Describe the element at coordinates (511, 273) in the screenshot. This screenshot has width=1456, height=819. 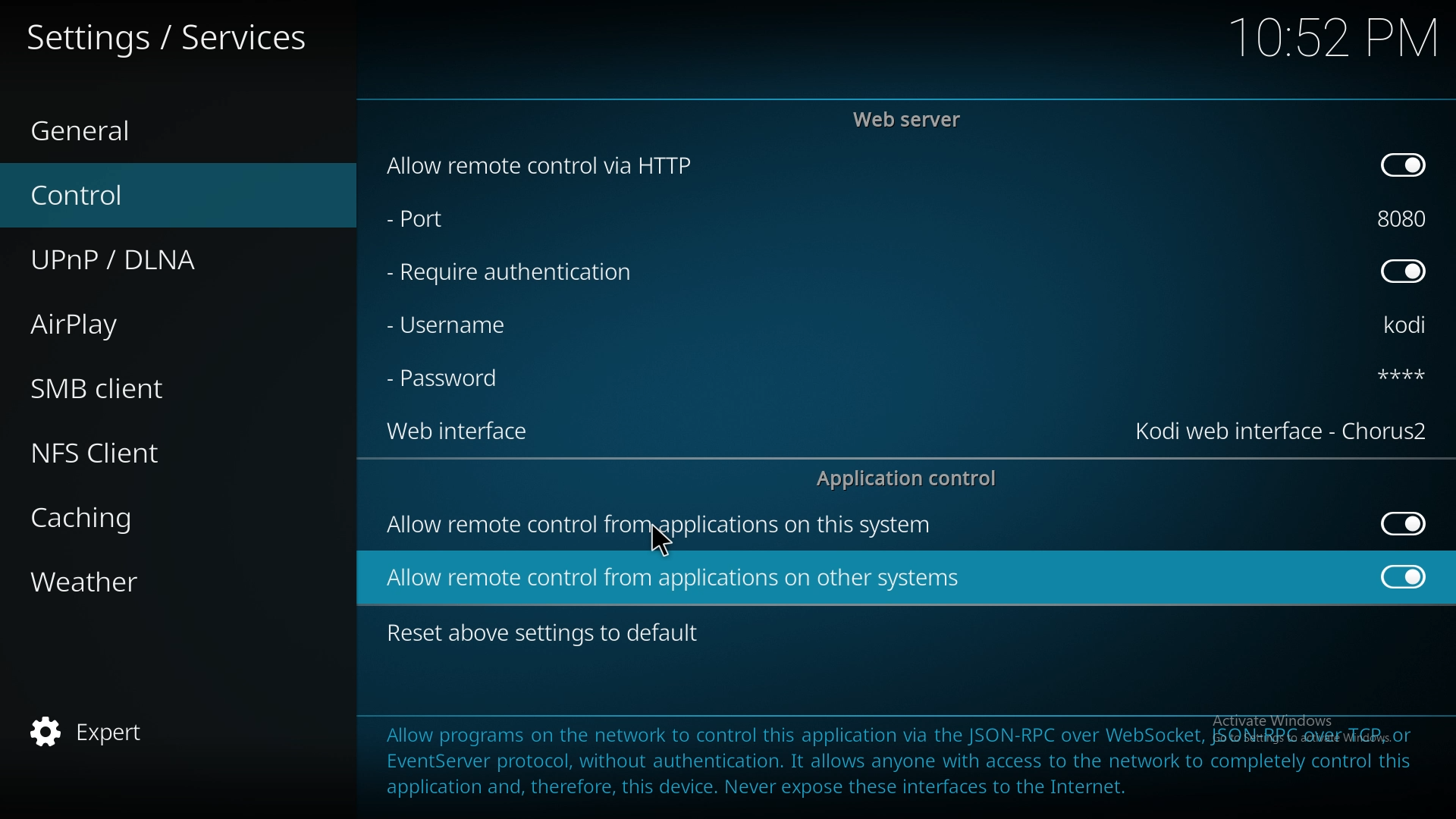
I see `require authentication` at that location.